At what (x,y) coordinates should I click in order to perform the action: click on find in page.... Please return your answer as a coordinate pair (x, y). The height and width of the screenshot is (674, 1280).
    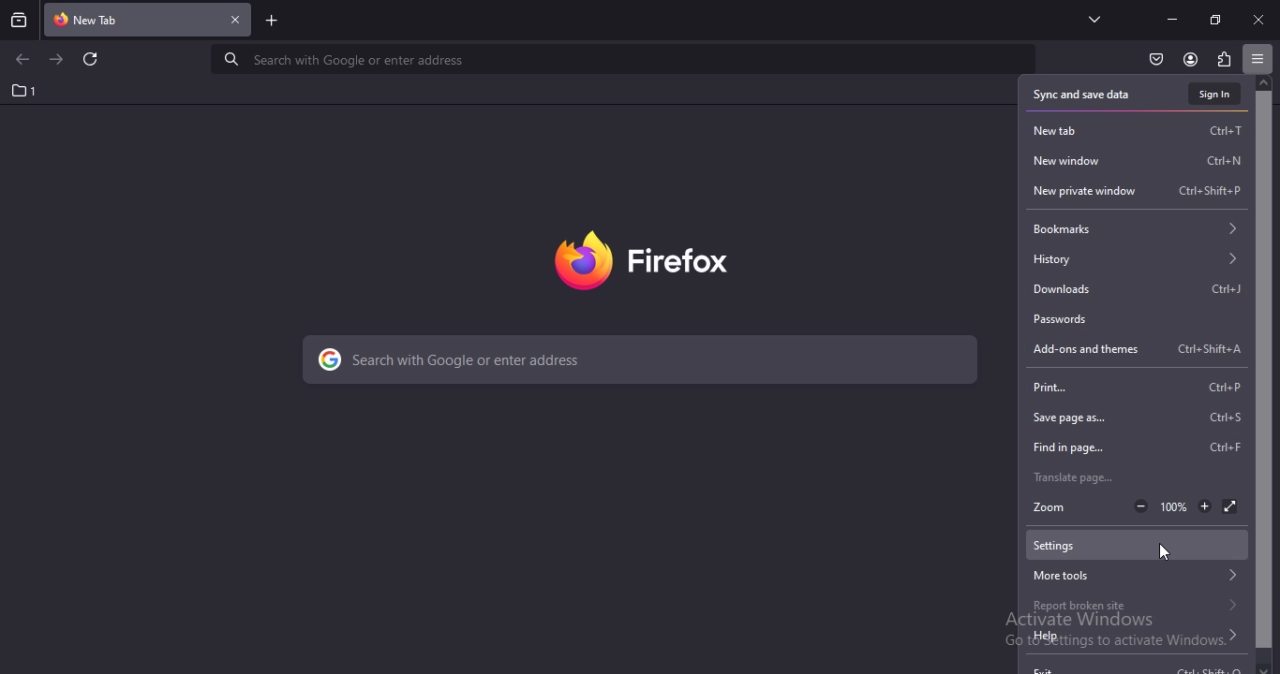
    Looking at the image, I should click on (1137, 446).